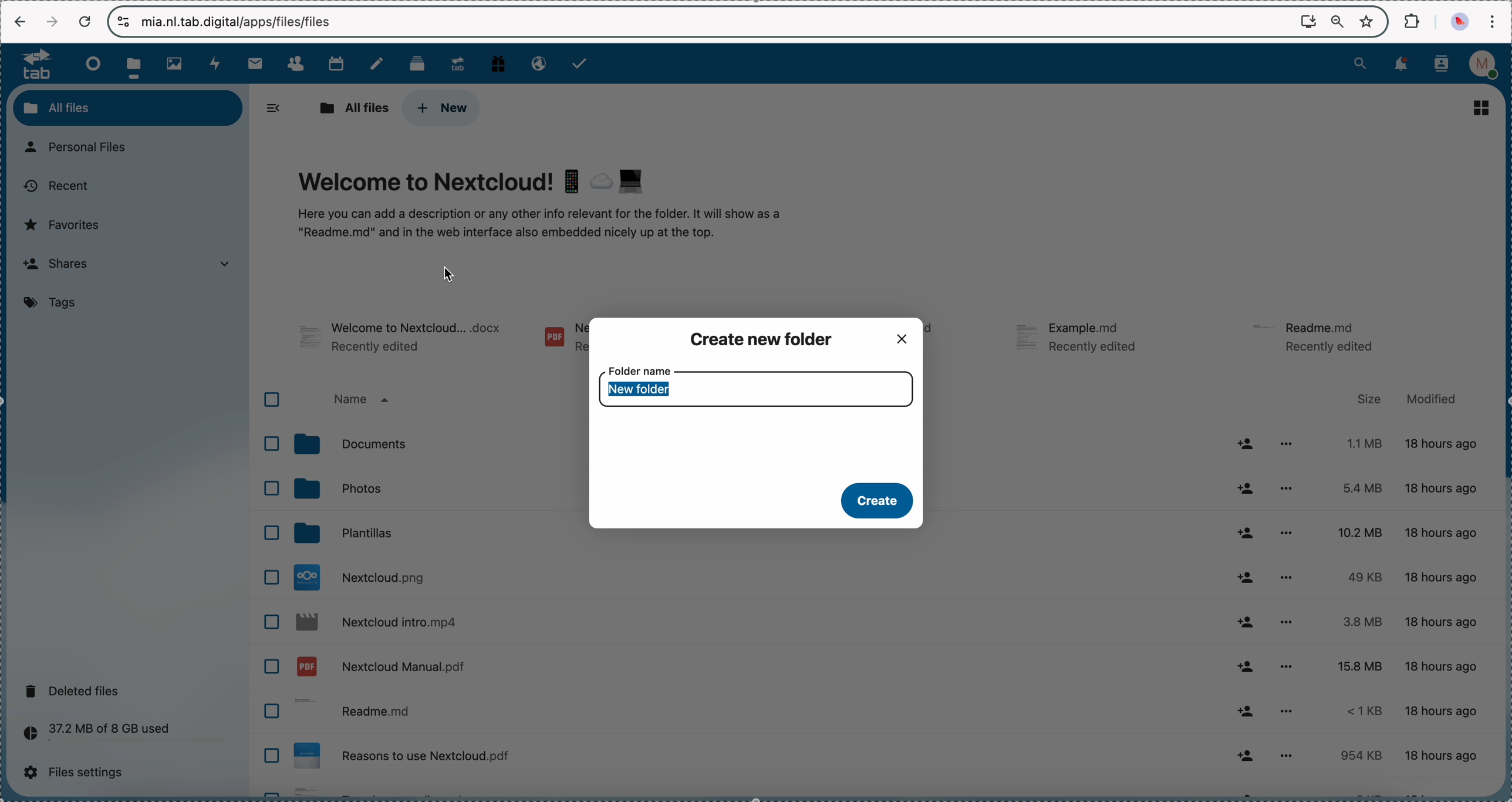  Describe the element at coordinates (1462, 22) in the screenshot. I see `profile picture` at that location.